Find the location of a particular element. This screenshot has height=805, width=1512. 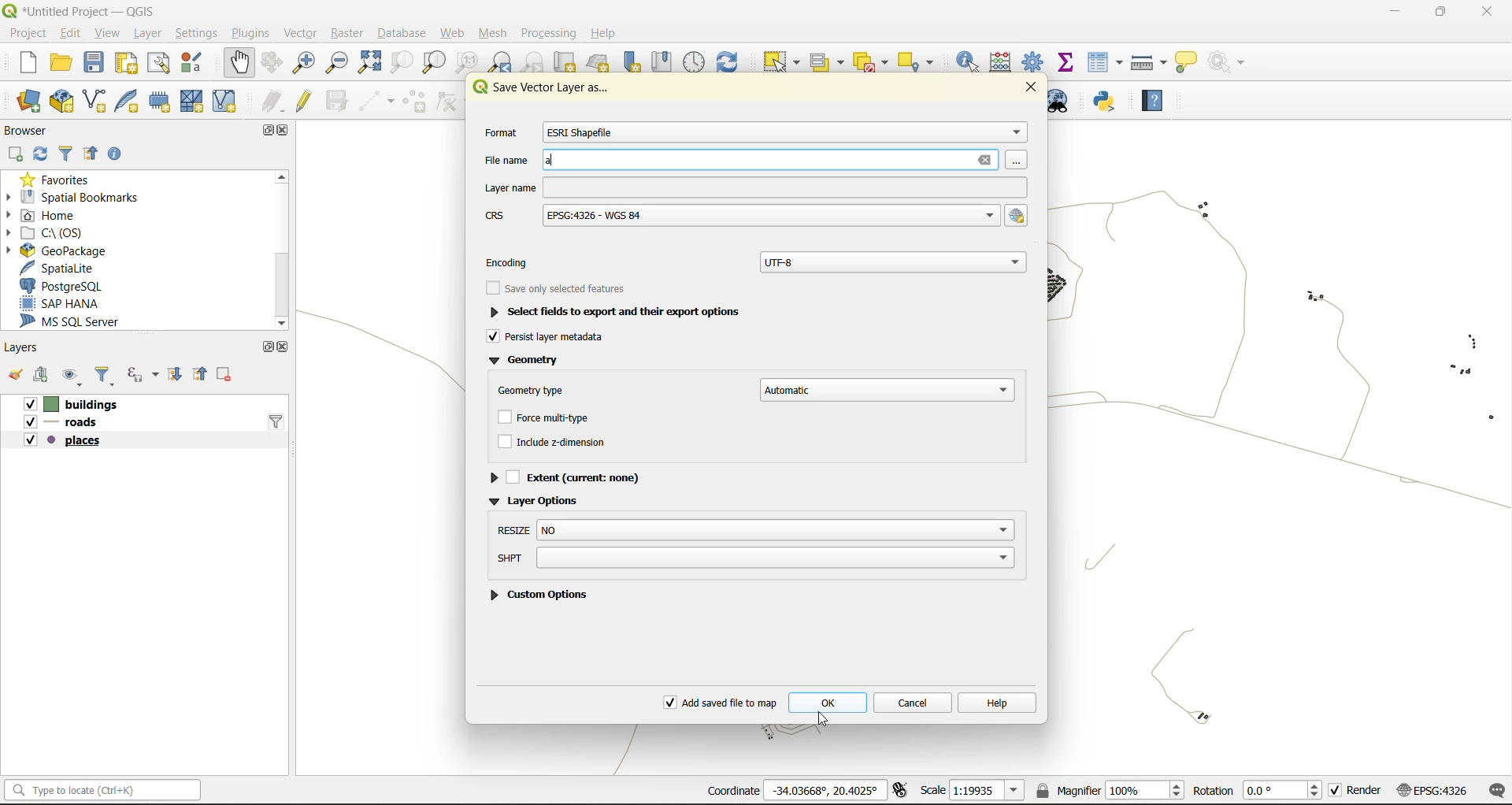

filter is located at coordinates (69, 153).